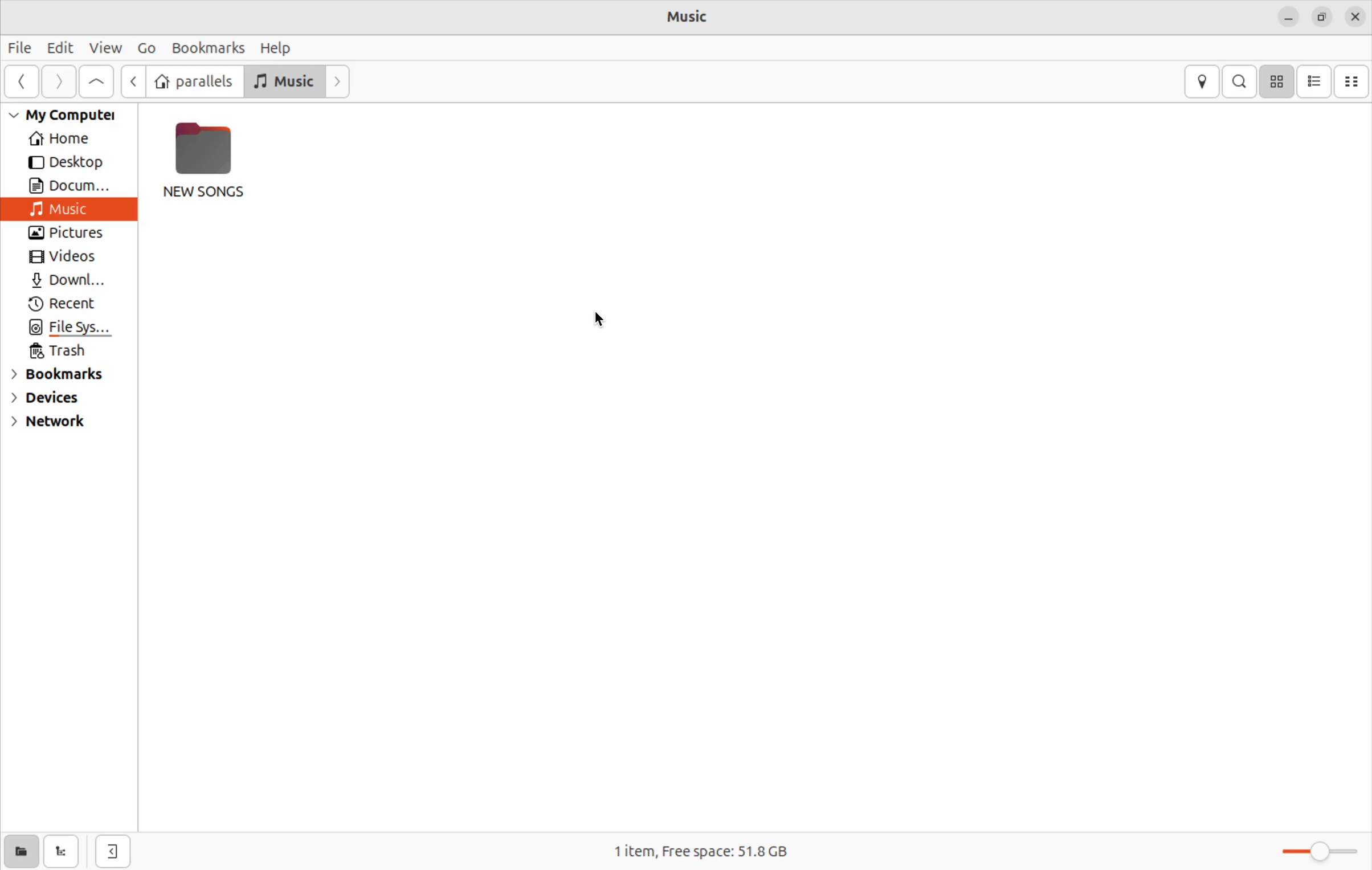 The image size is (1372, 870). I want to click on open side bar, so click(113, 852).